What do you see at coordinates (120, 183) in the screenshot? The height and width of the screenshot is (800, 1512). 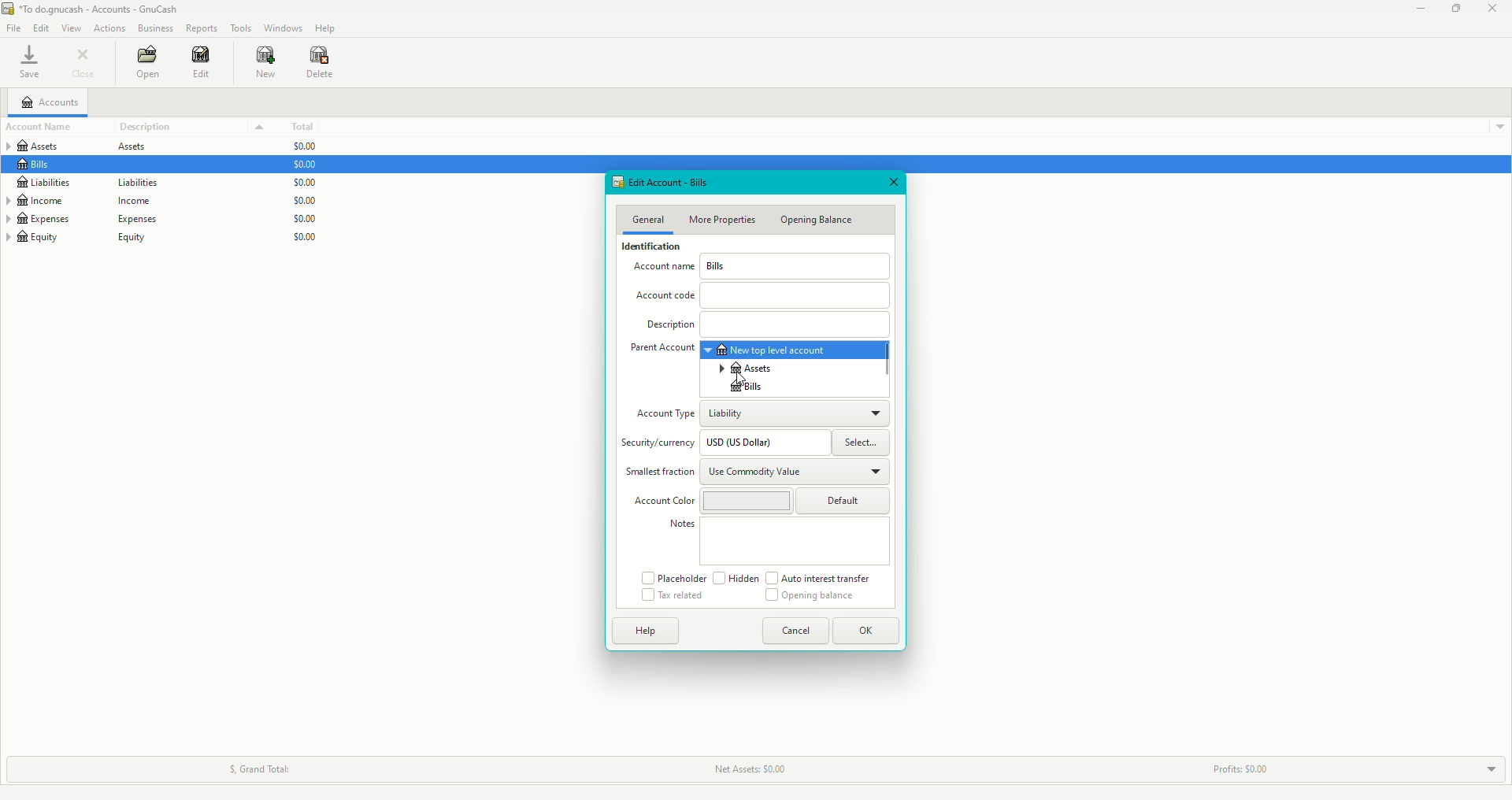 I see `Liabilities` at bounding box center [120, 183].